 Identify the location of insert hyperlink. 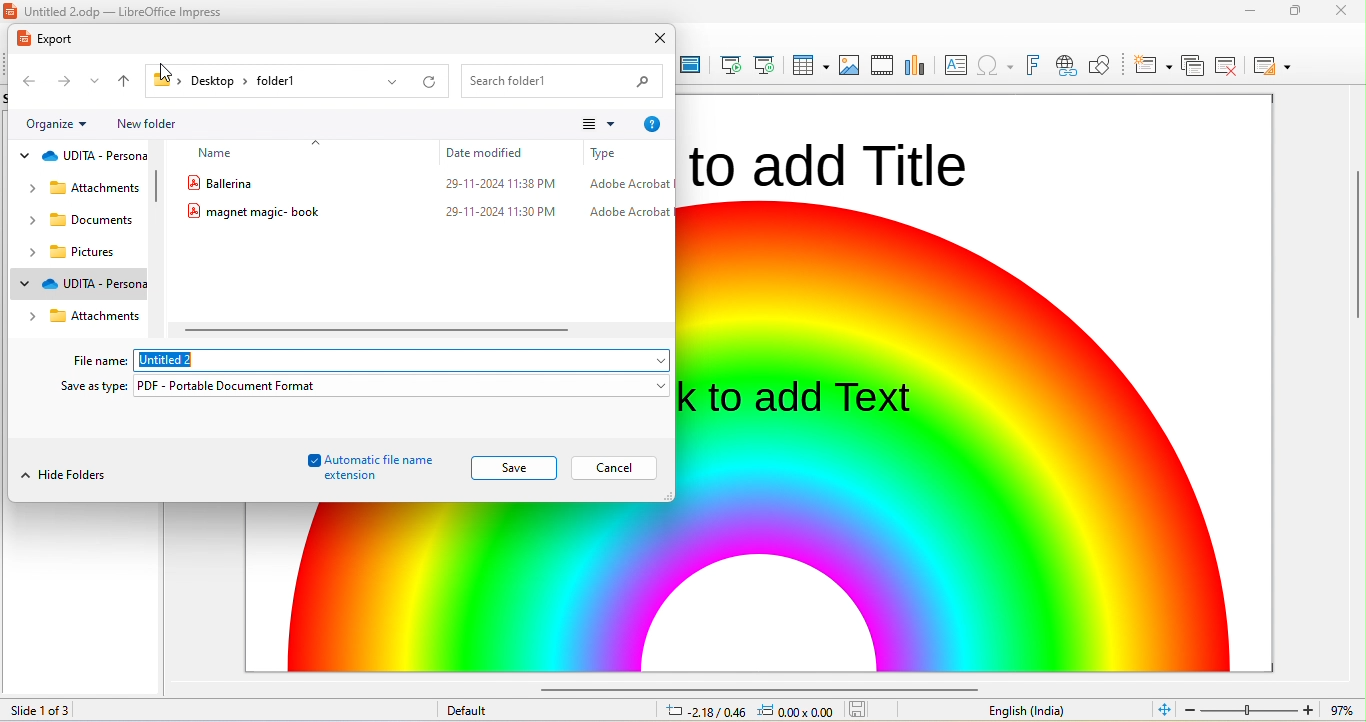
(996, 63).